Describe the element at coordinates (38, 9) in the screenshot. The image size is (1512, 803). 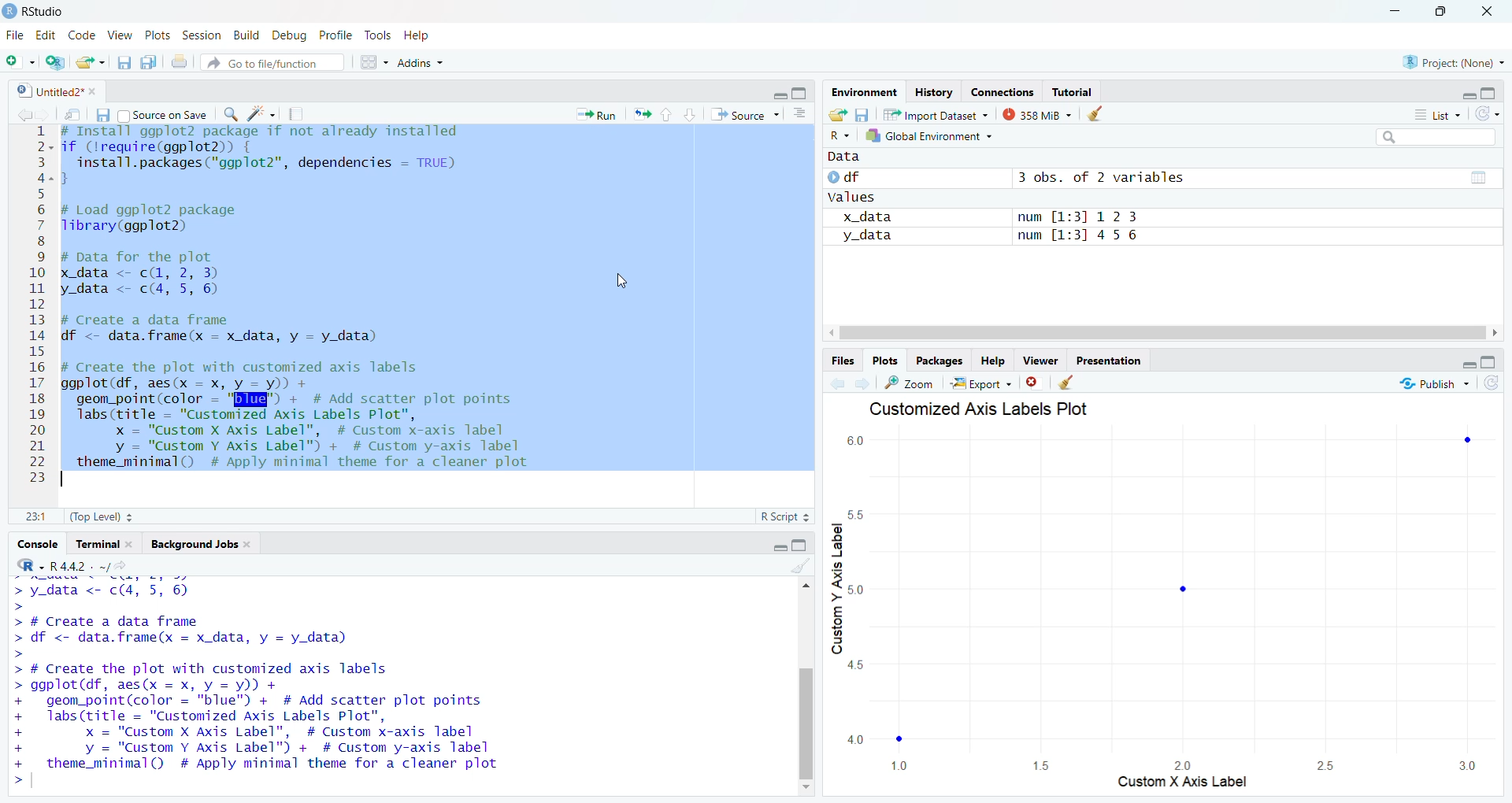
I see `RStudio` at that location.